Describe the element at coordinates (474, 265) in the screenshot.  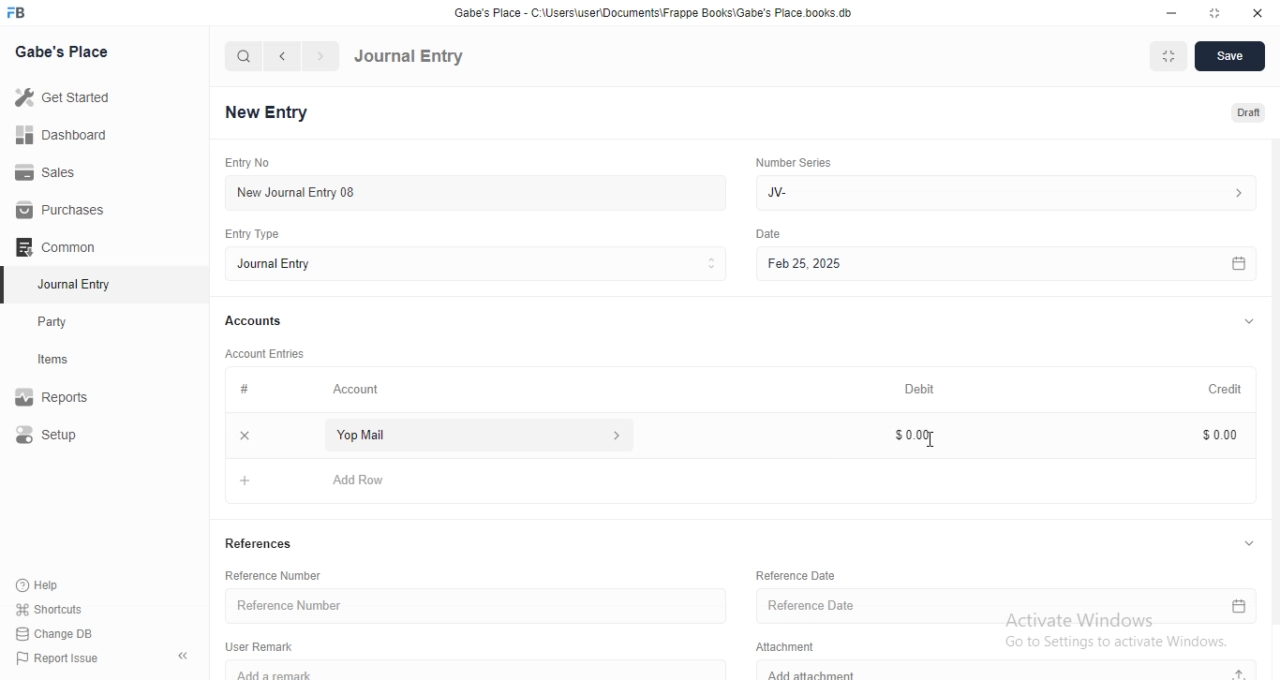
I see `Journal Entry` at that location.